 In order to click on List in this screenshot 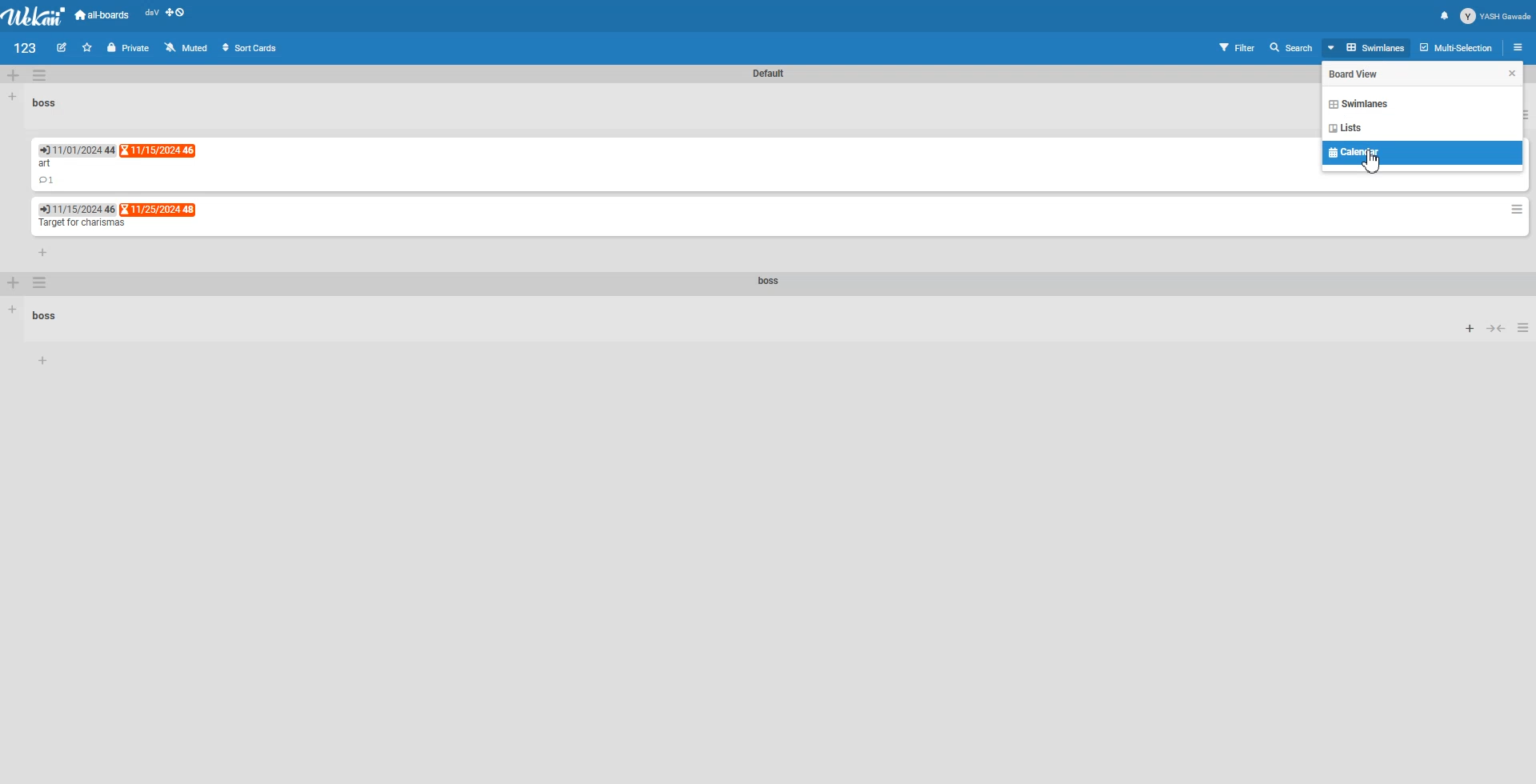, I will do `click(1422, 128)`.